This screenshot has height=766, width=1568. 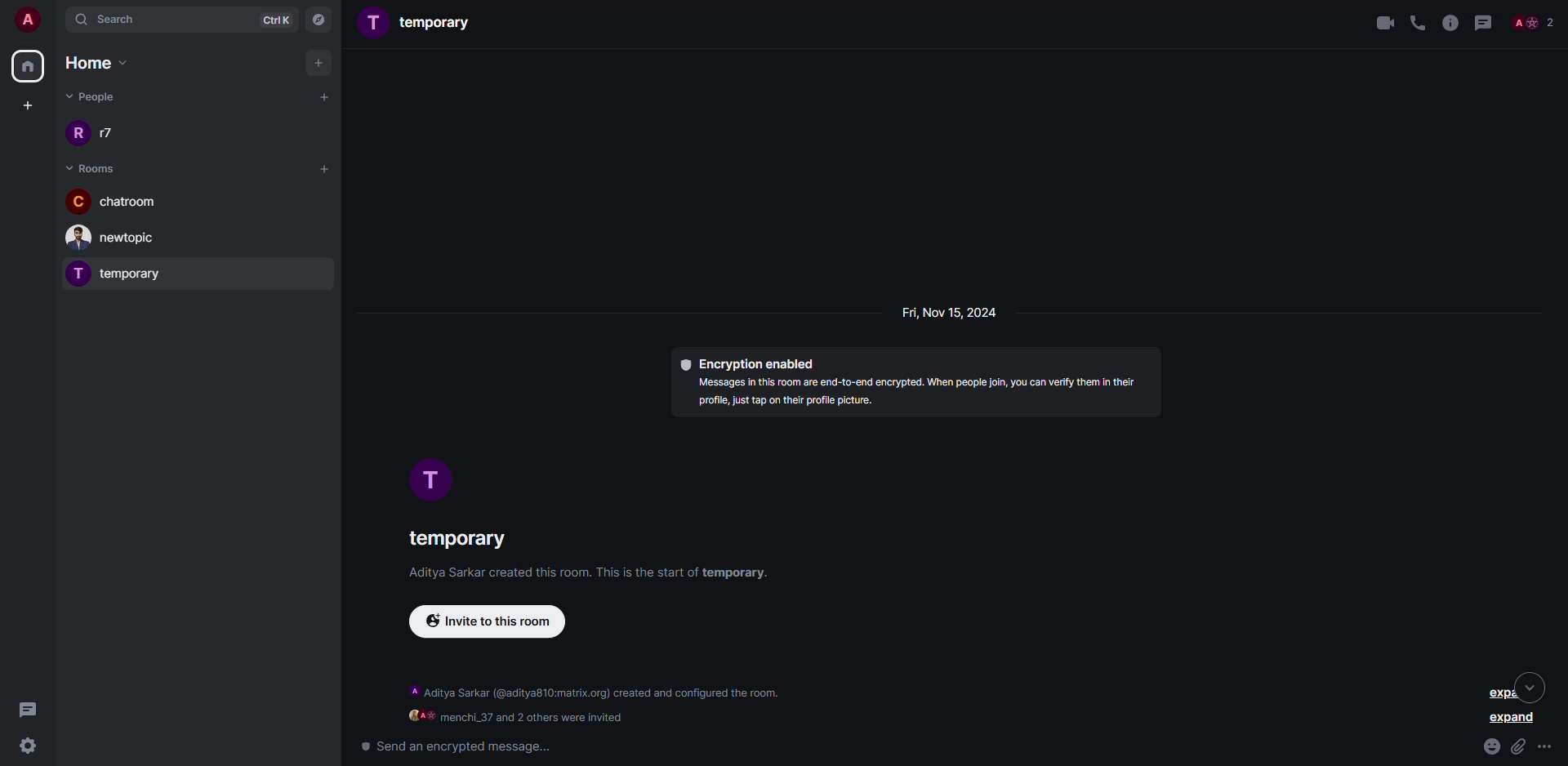 I want to click on create space, so click(x=28, y=104).